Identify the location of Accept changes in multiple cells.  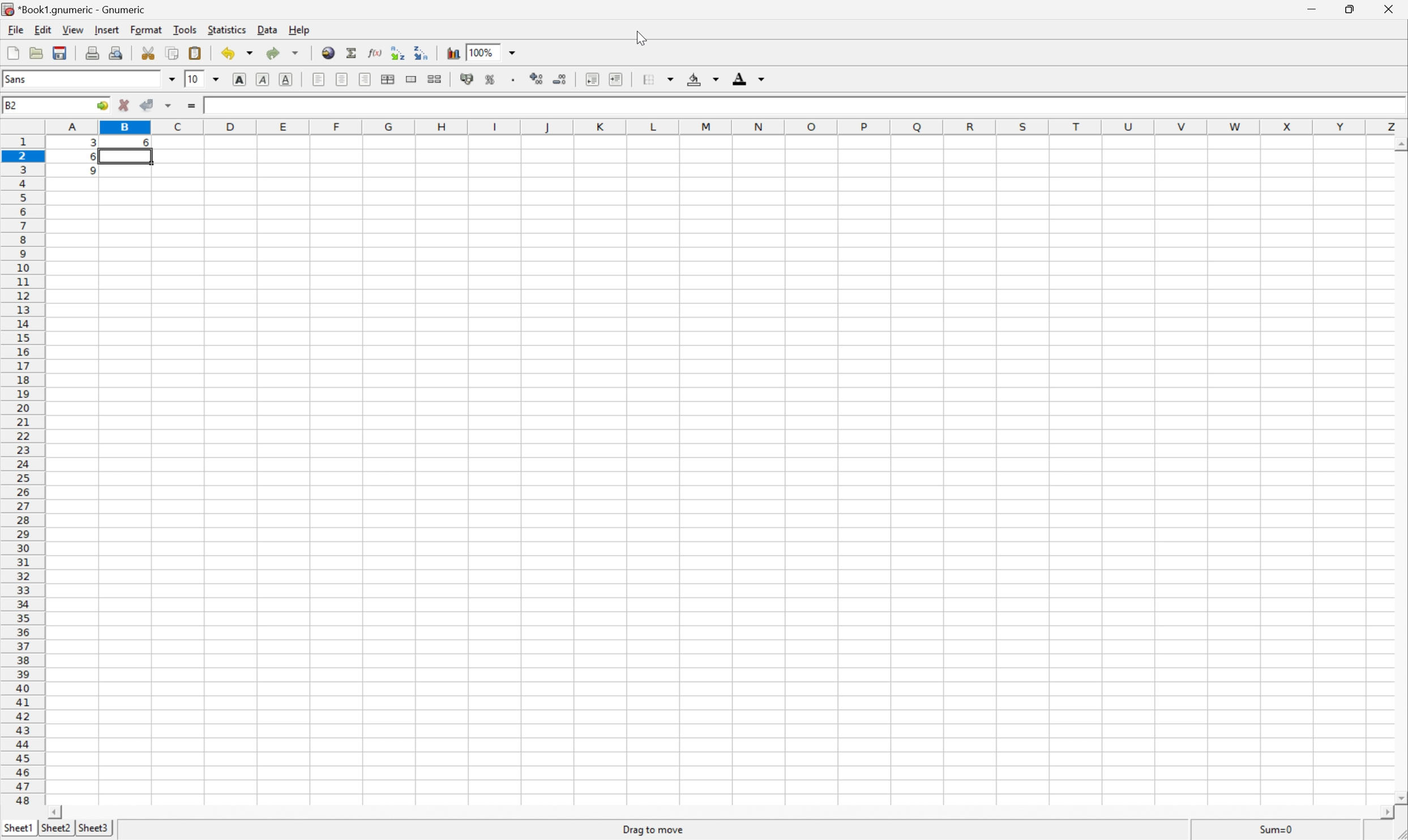
(170, 106).